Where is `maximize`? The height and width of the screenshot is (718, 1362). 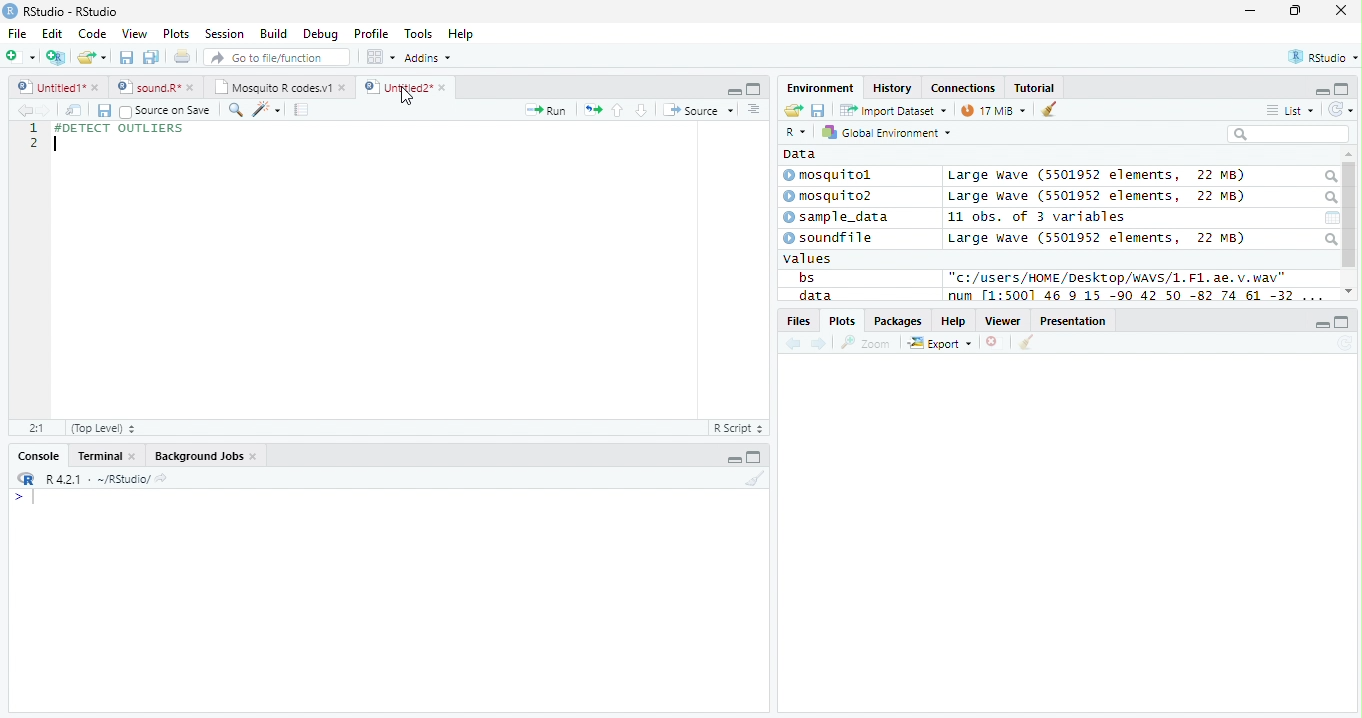 maximize is located at coordinates (1294, 10).